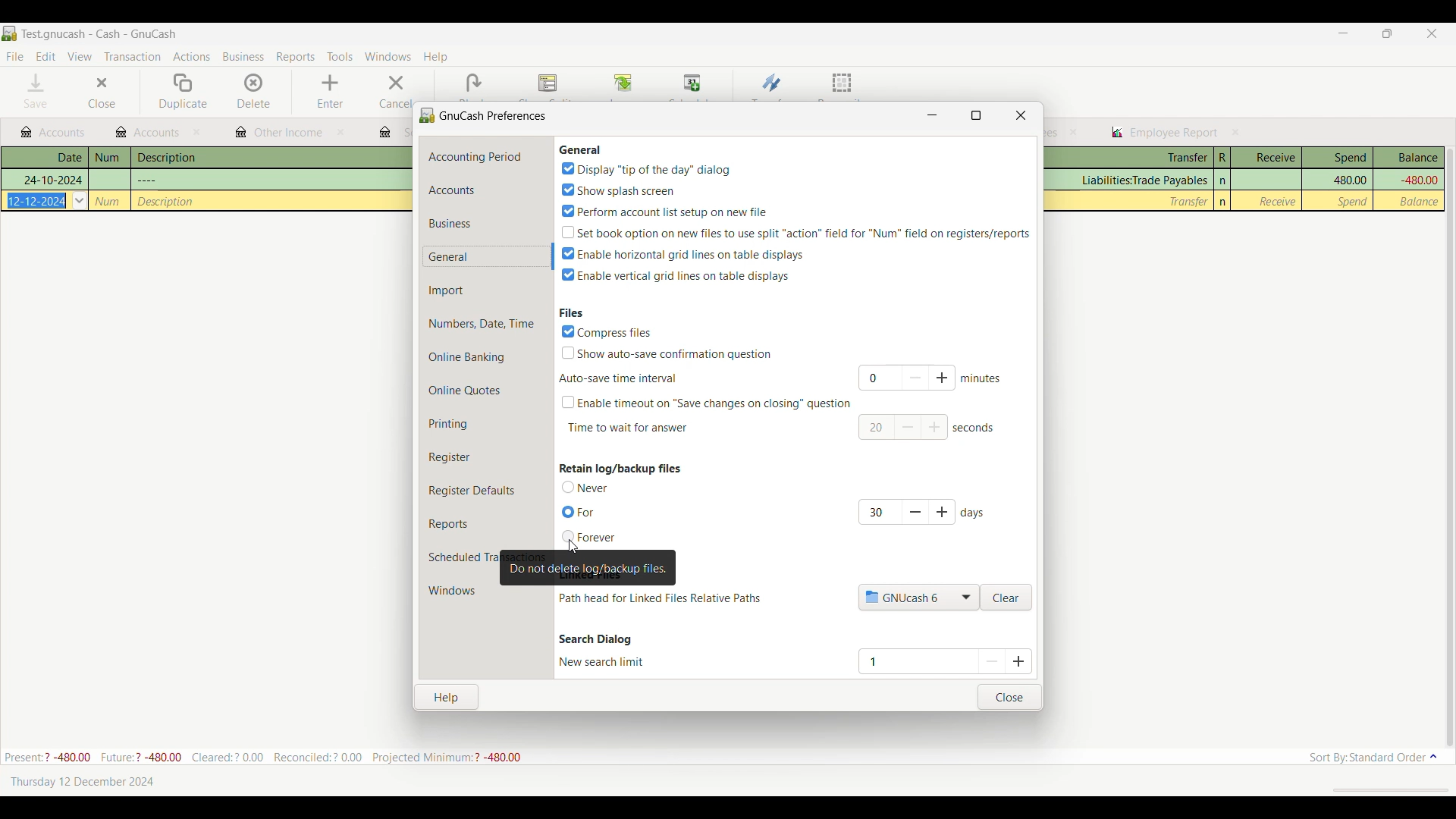  What do you see at coordinates (271, 157) in the screenshot?
I see `Description column` at bounding box center [271, 157].